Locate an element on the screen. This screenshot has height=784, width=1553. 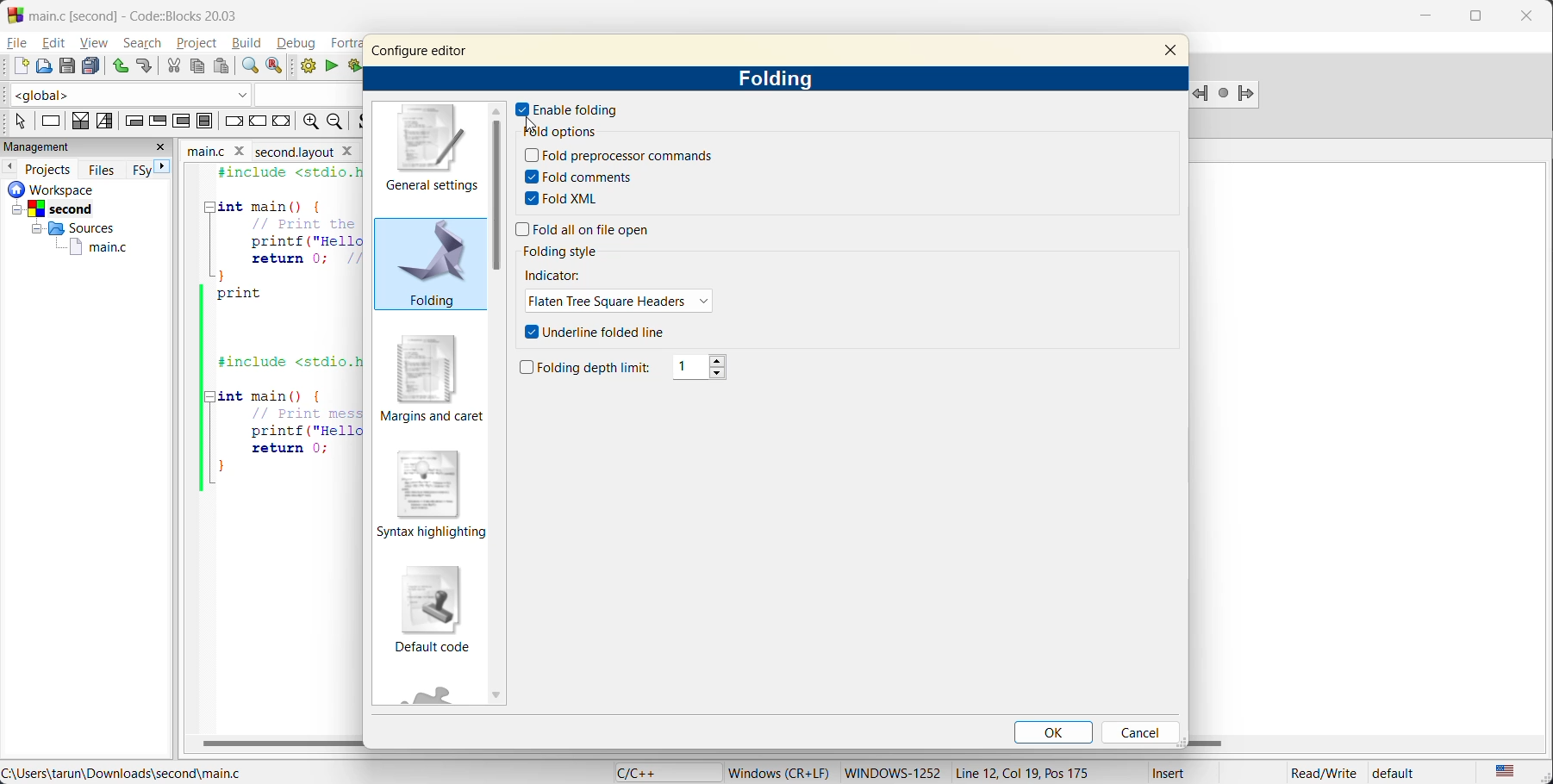
new is located at coordinates (16, 66).